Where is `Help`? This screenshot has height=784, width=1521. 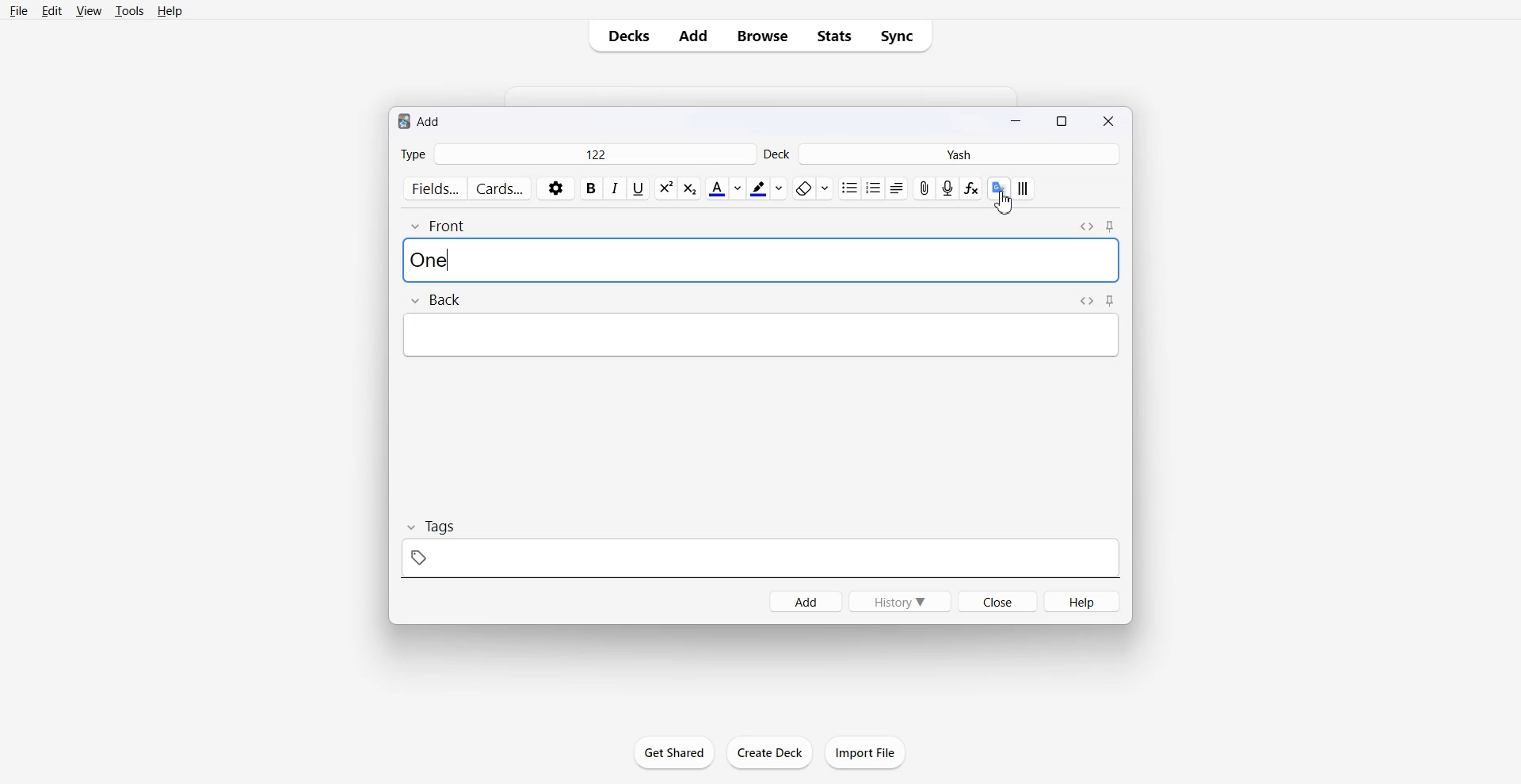
Help is located at coordinates (170, 10).